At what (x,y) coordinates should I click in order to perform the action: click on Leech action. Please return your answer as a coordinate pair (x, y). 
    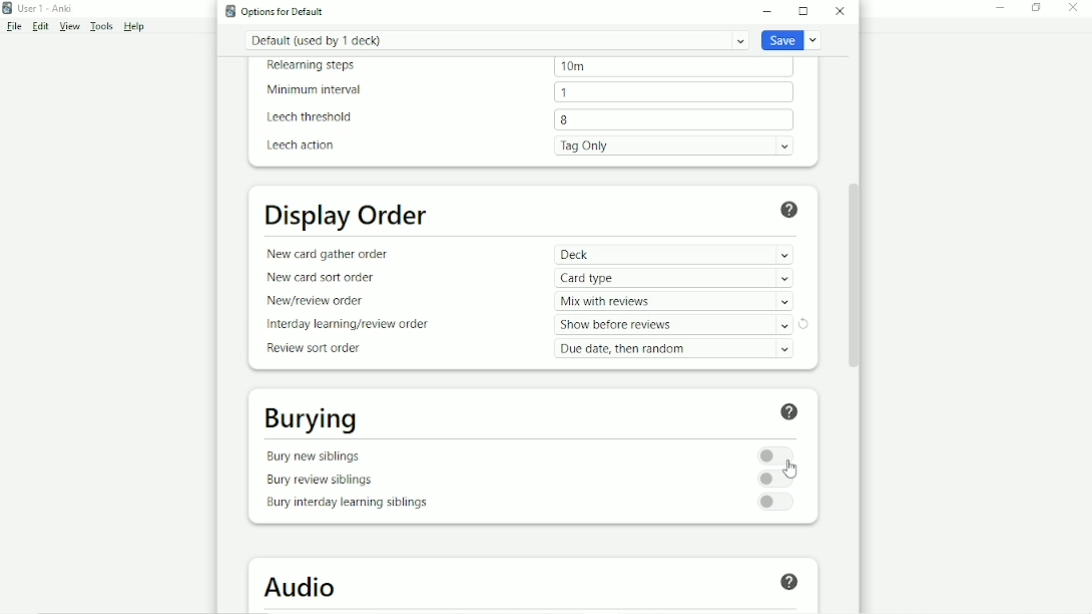
    Looking at the image, I should click on (301, 145).